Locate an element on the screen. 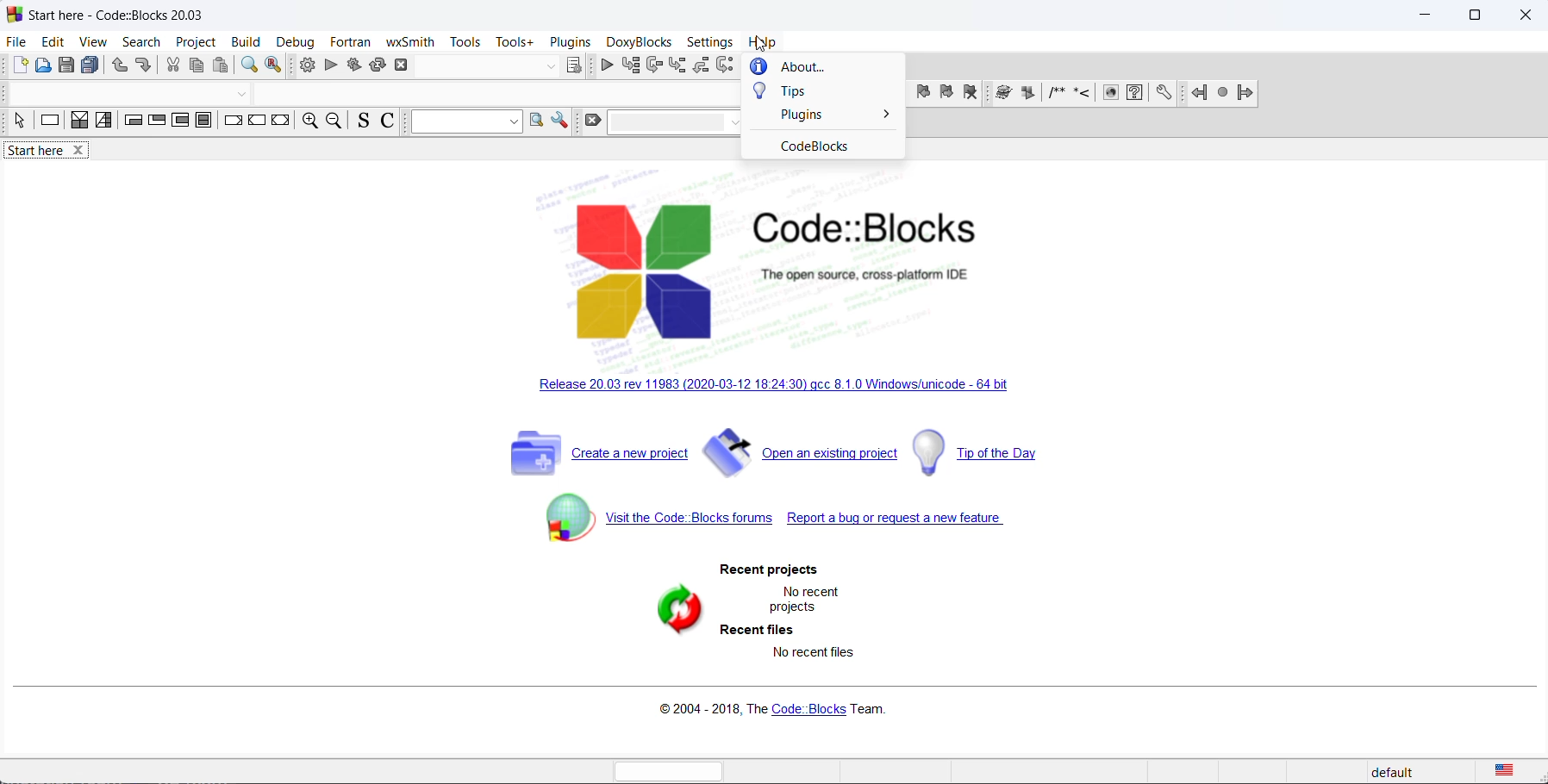 This screenshot has height=784, width=1548. find is located at coordinates (248, 66).